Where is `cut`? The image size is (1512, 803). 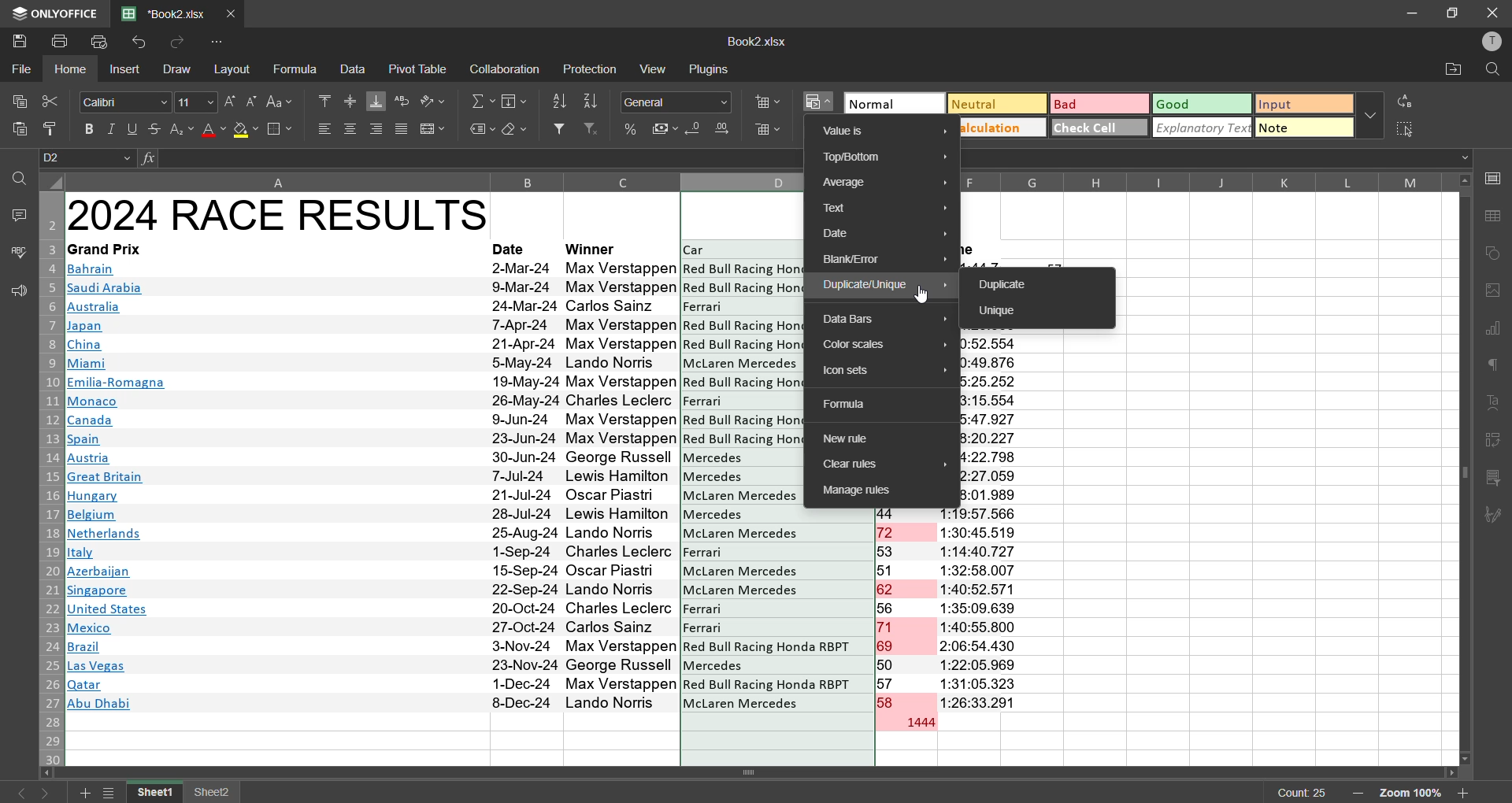 cut is located at coordinates (48, 101).